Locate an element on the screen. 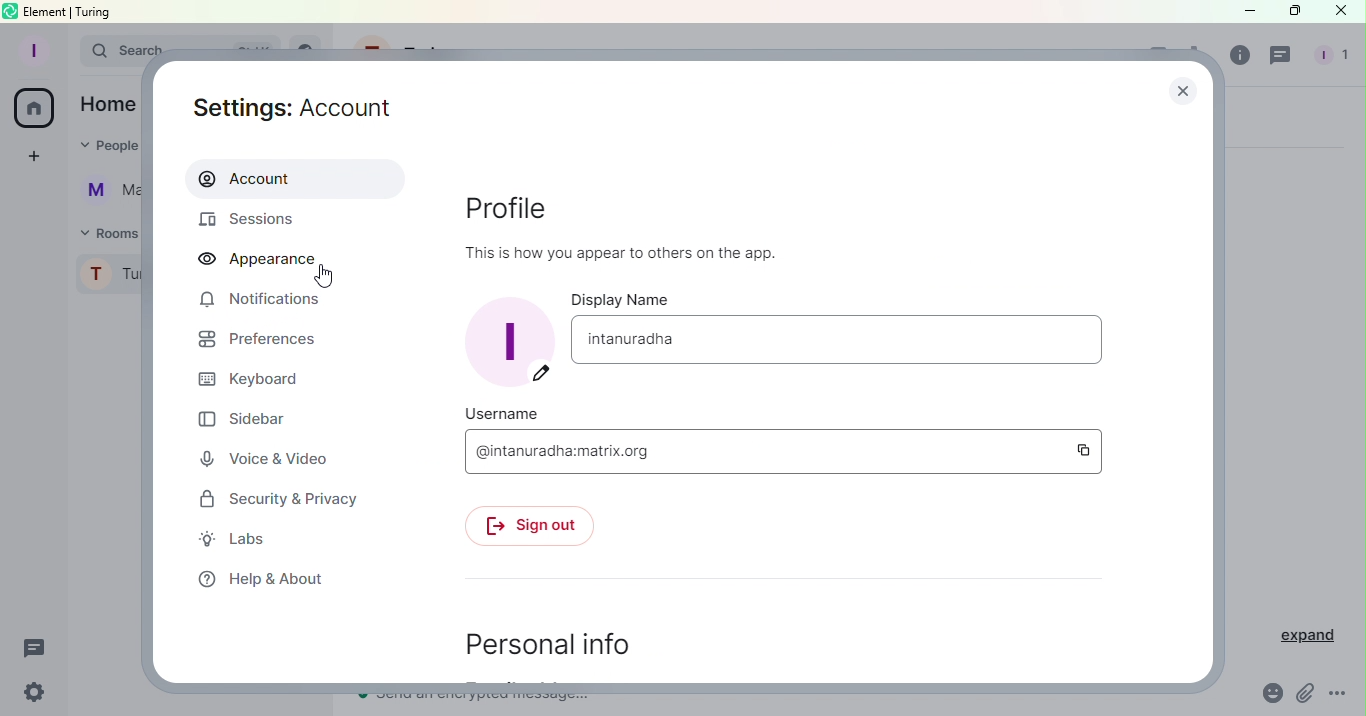 This screenshot has width=1366, height=716. Profile is located at coordinates (29, 49).